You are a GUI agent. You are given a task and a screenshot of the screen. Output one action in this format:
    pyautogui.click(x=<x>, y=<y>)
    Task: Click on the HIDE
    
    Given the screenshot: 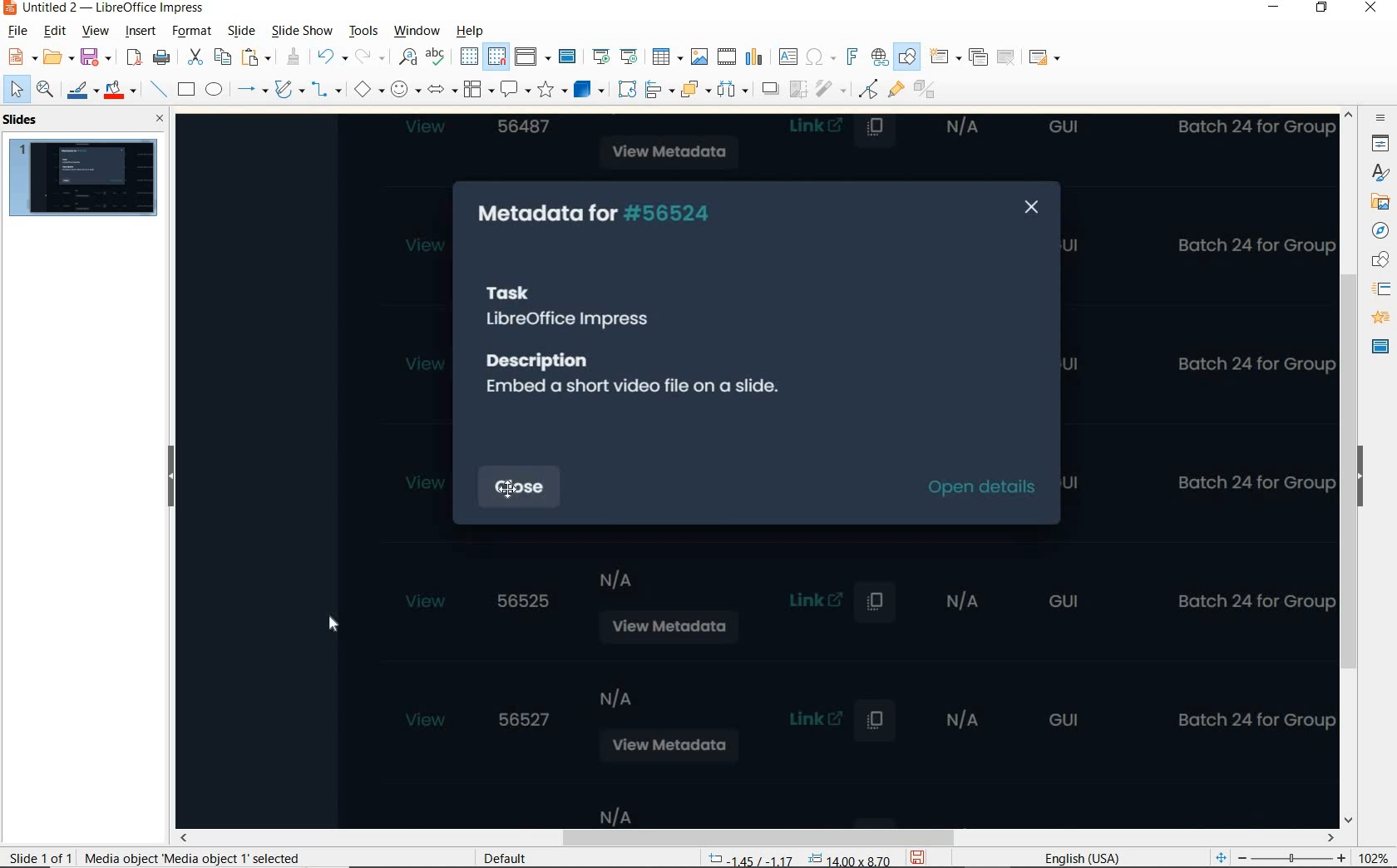 What is the action you would take?
    pyautogui.click(x=1368, y=478)
    